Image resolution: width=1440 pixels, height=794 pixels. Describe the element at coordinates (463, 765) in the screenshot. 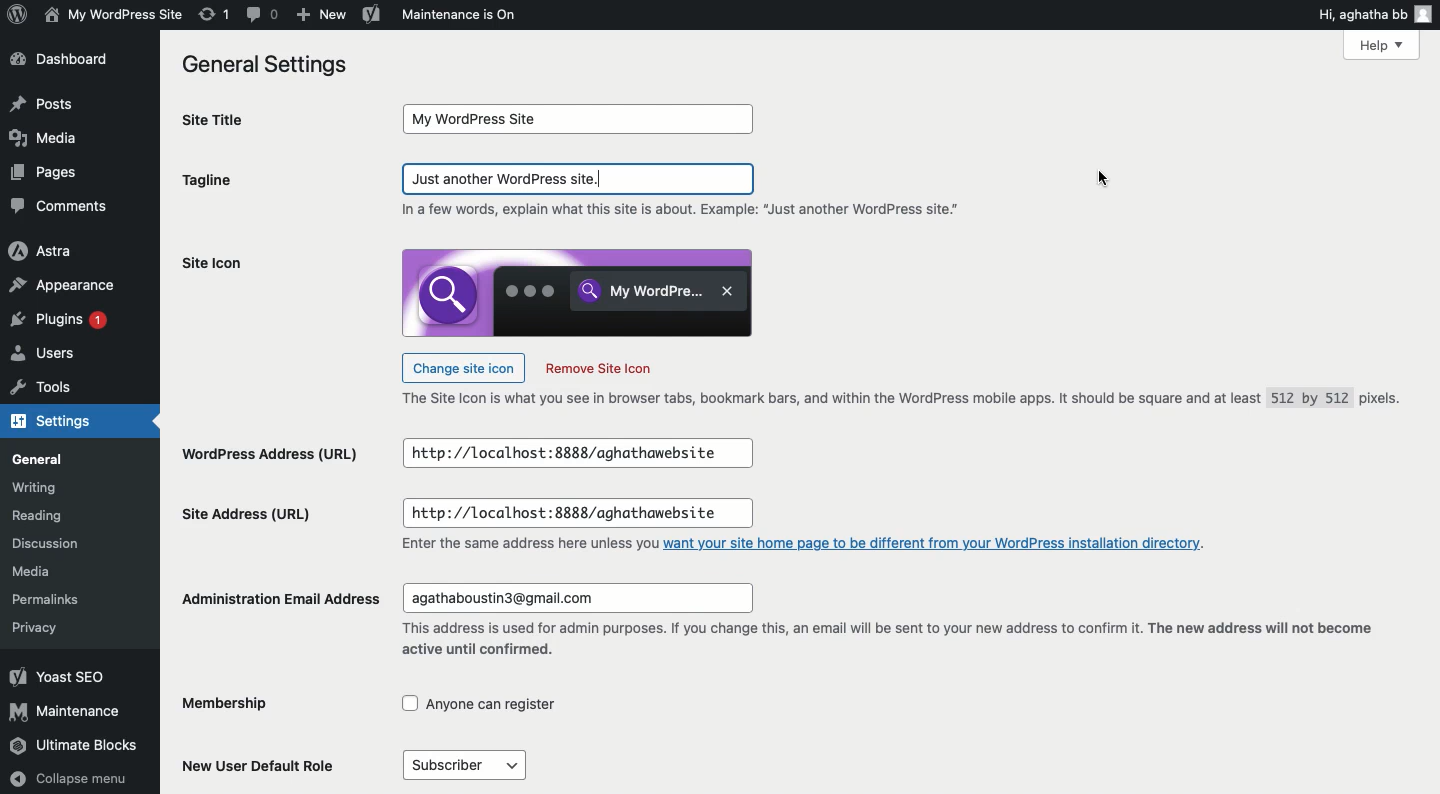

I see `menu` at that location.